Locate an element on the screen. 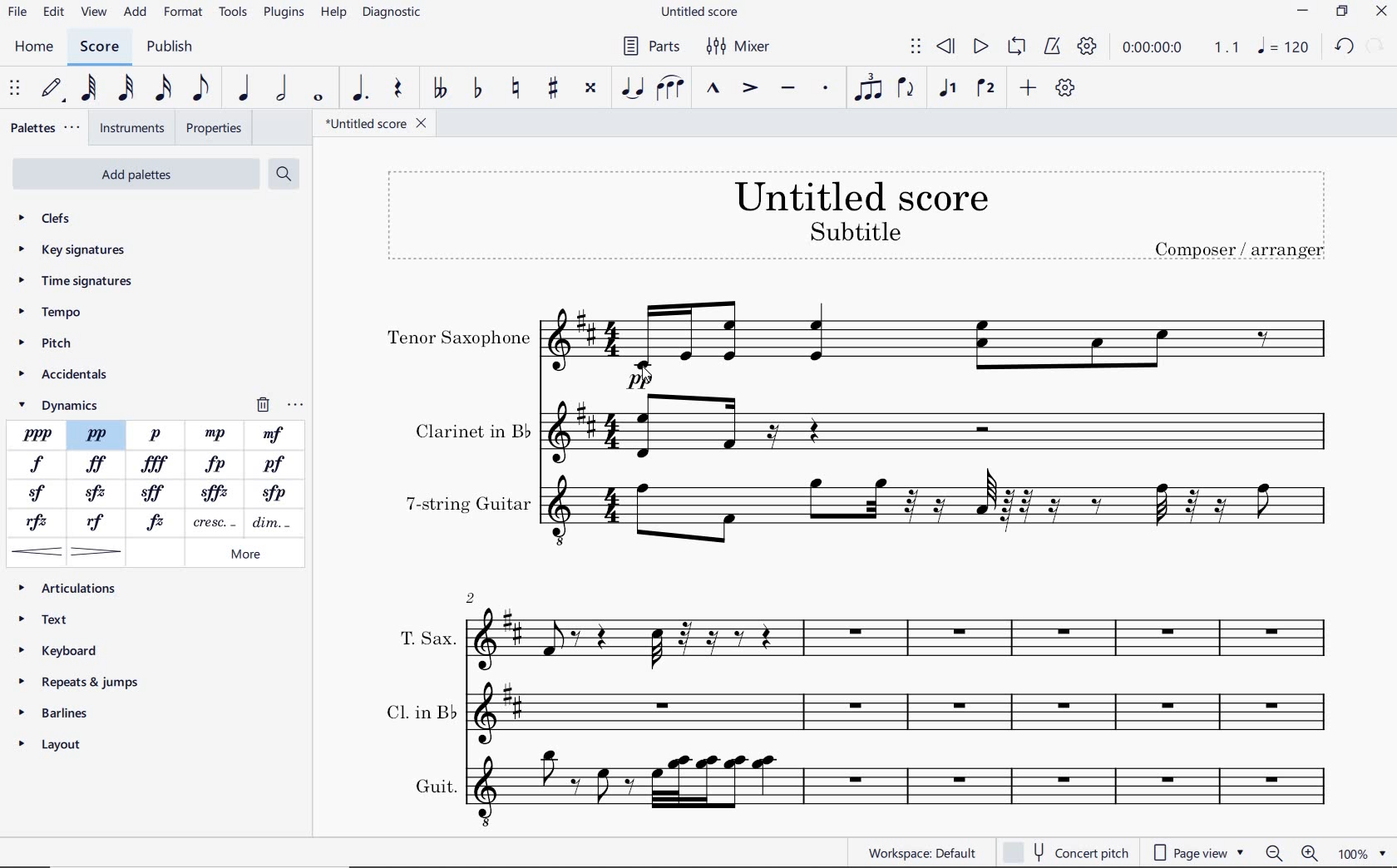  page view is located at coordinates (1197, 853).